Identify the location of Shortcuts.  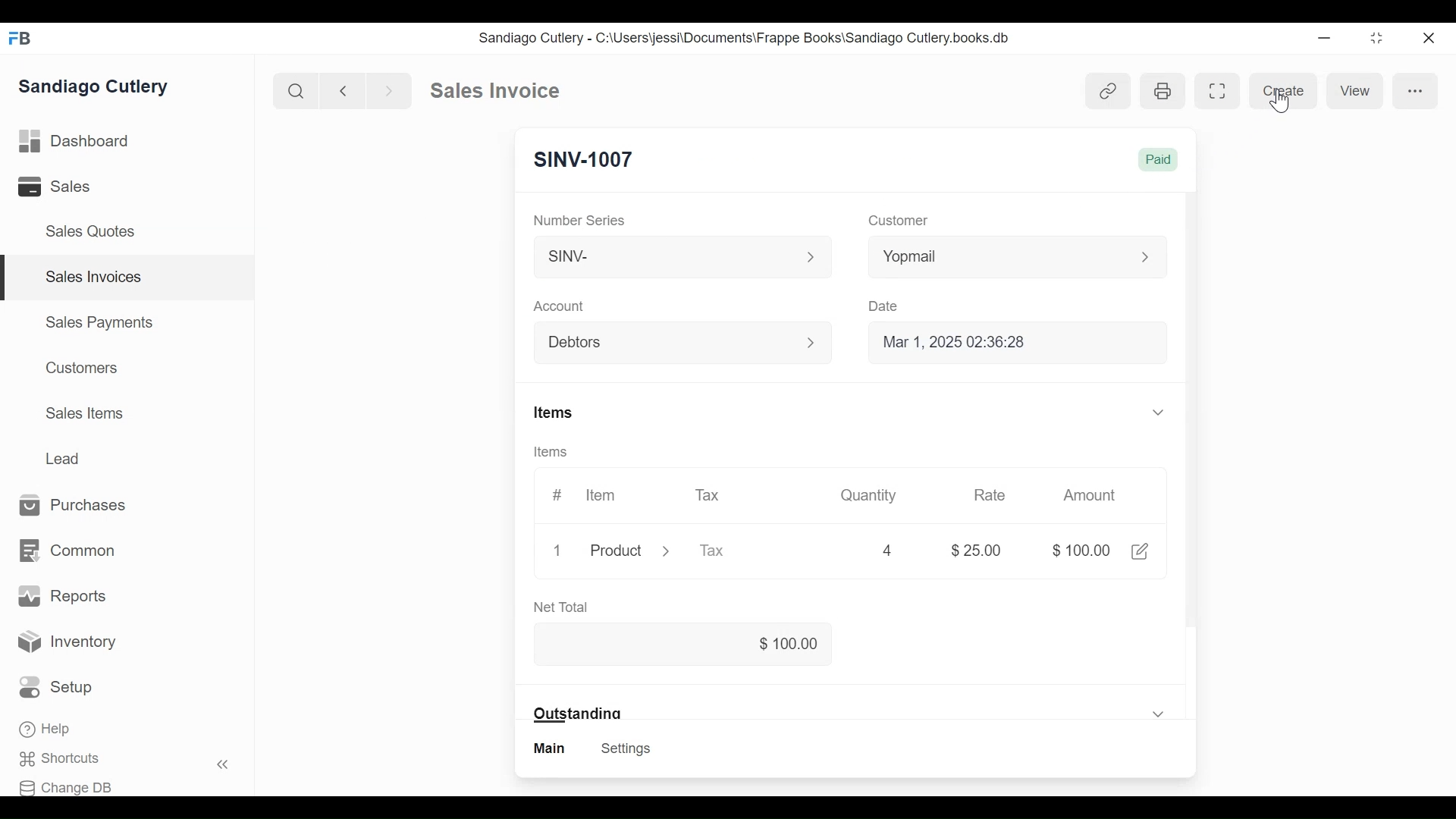
(58, 758).